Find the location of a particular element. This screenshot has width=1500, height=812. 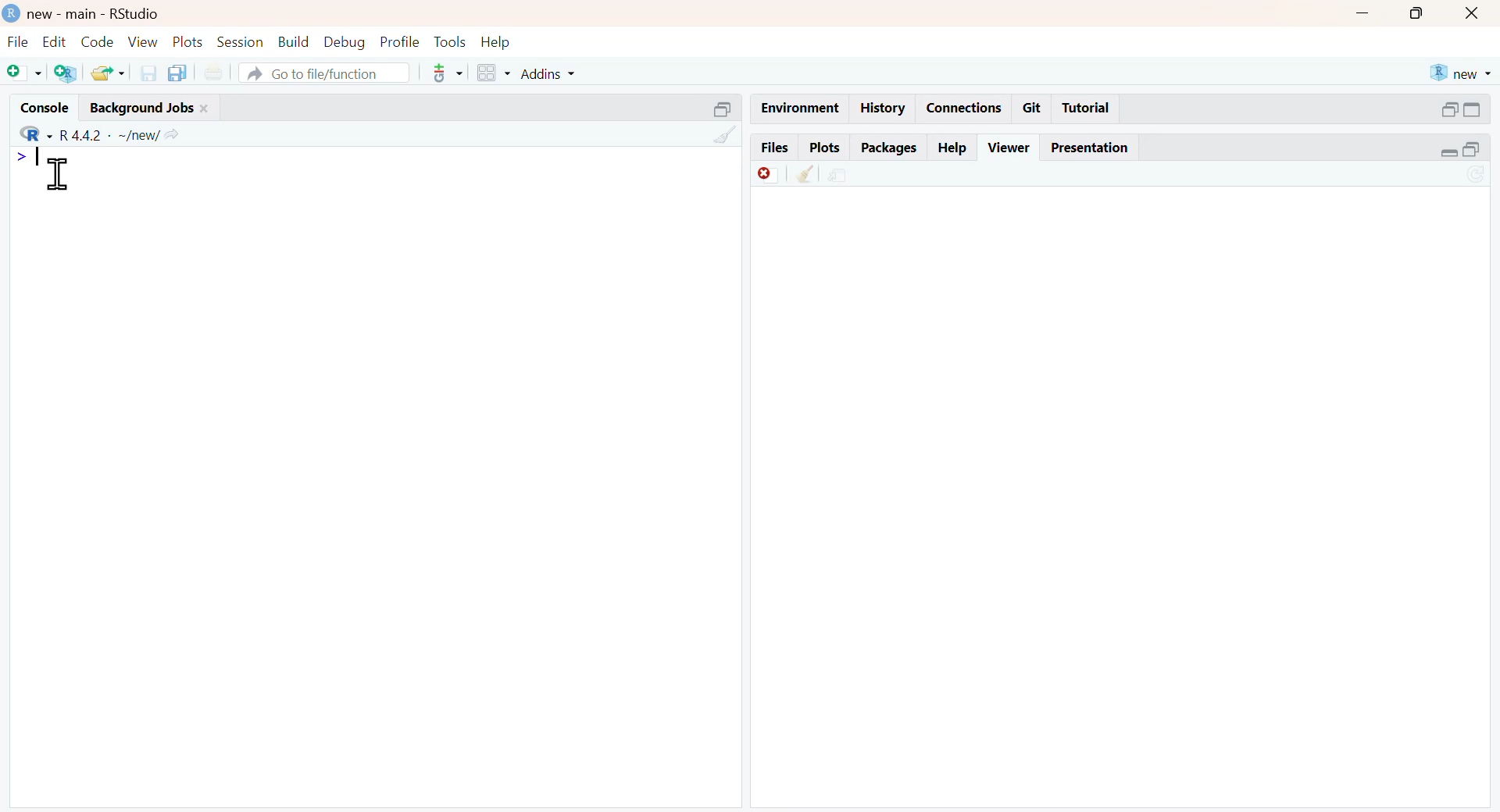

Connections is located at coordinates (967, 109).